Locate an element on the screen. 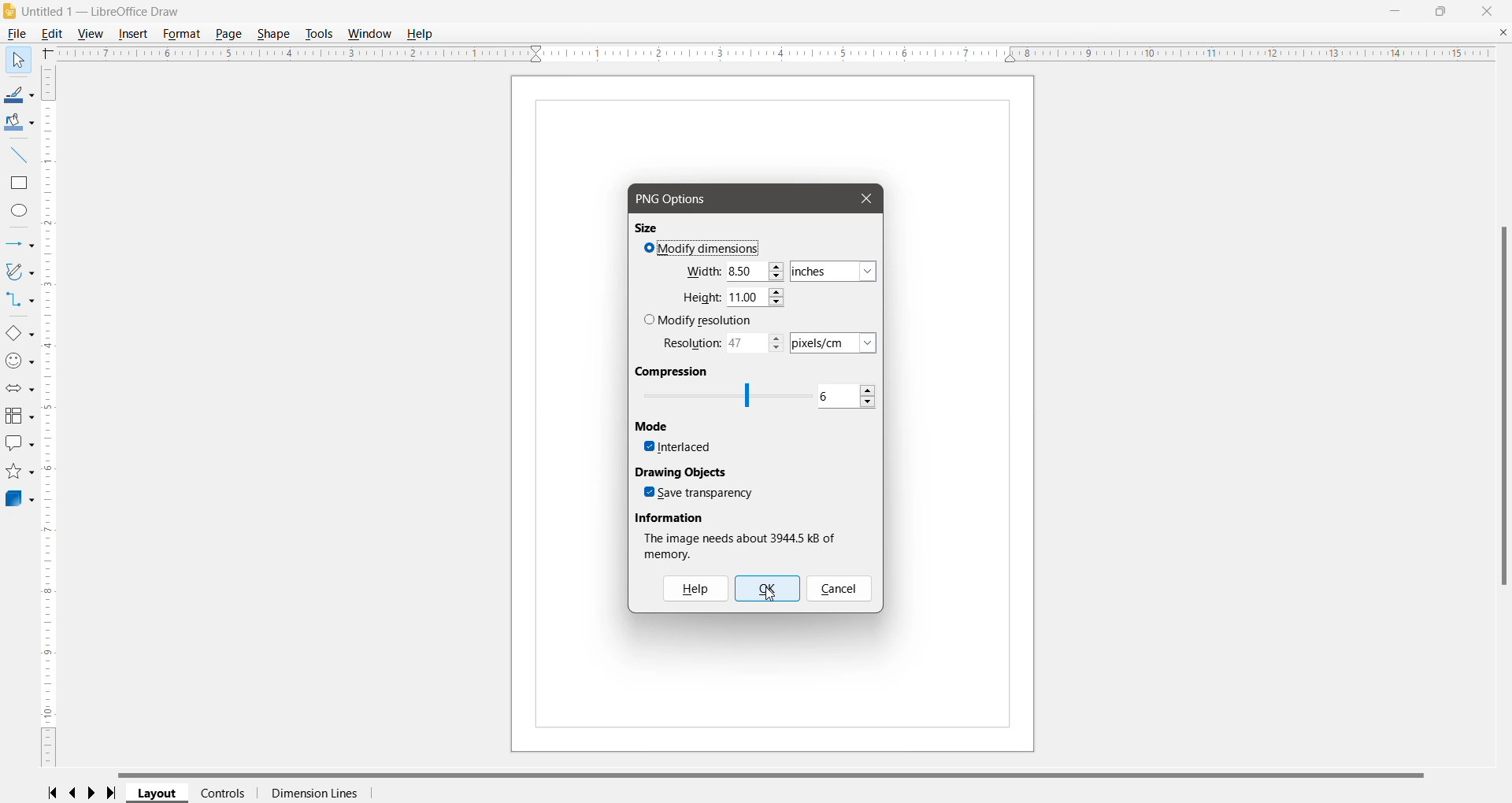  Set required resolution is located at coordinates (717, 346).